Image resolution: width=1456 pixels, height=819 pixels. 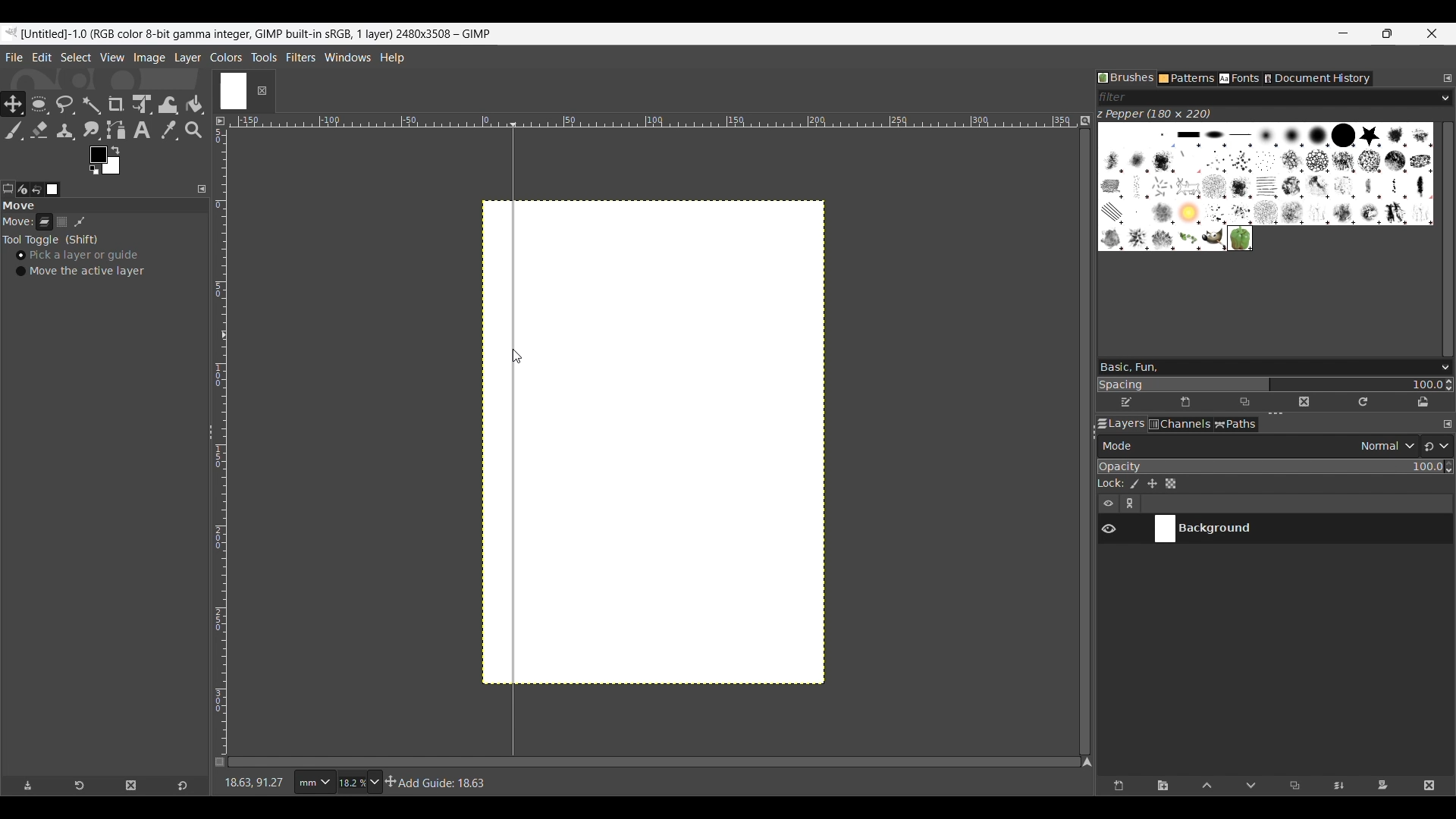 I want to click on Indicates move tools, so click(x=17, y=221).